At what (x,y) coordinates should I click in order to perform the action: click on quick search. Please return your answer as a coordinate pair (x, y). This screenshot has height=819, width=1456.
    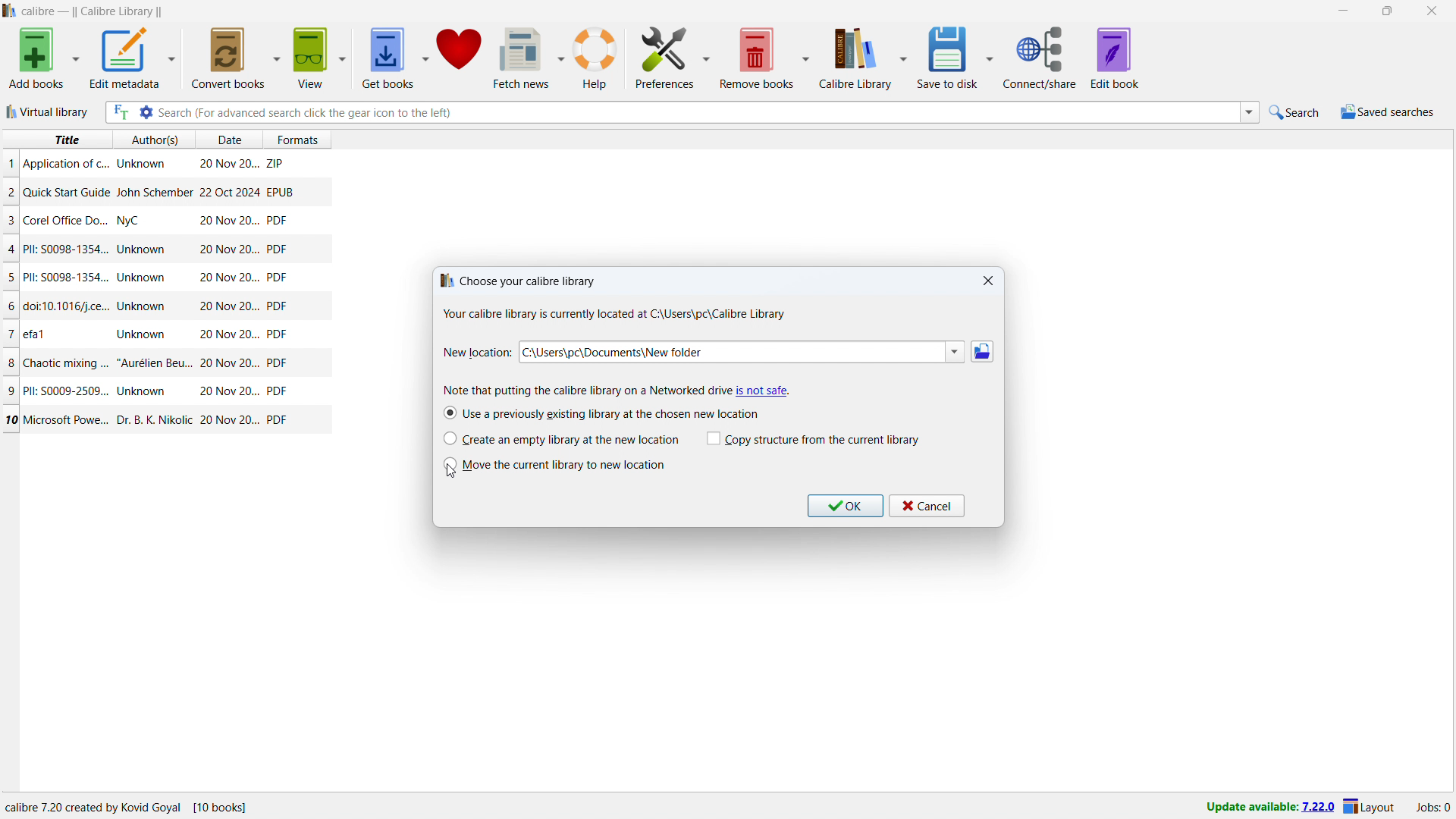
    Looking at the image, I should click on (1296, 112).